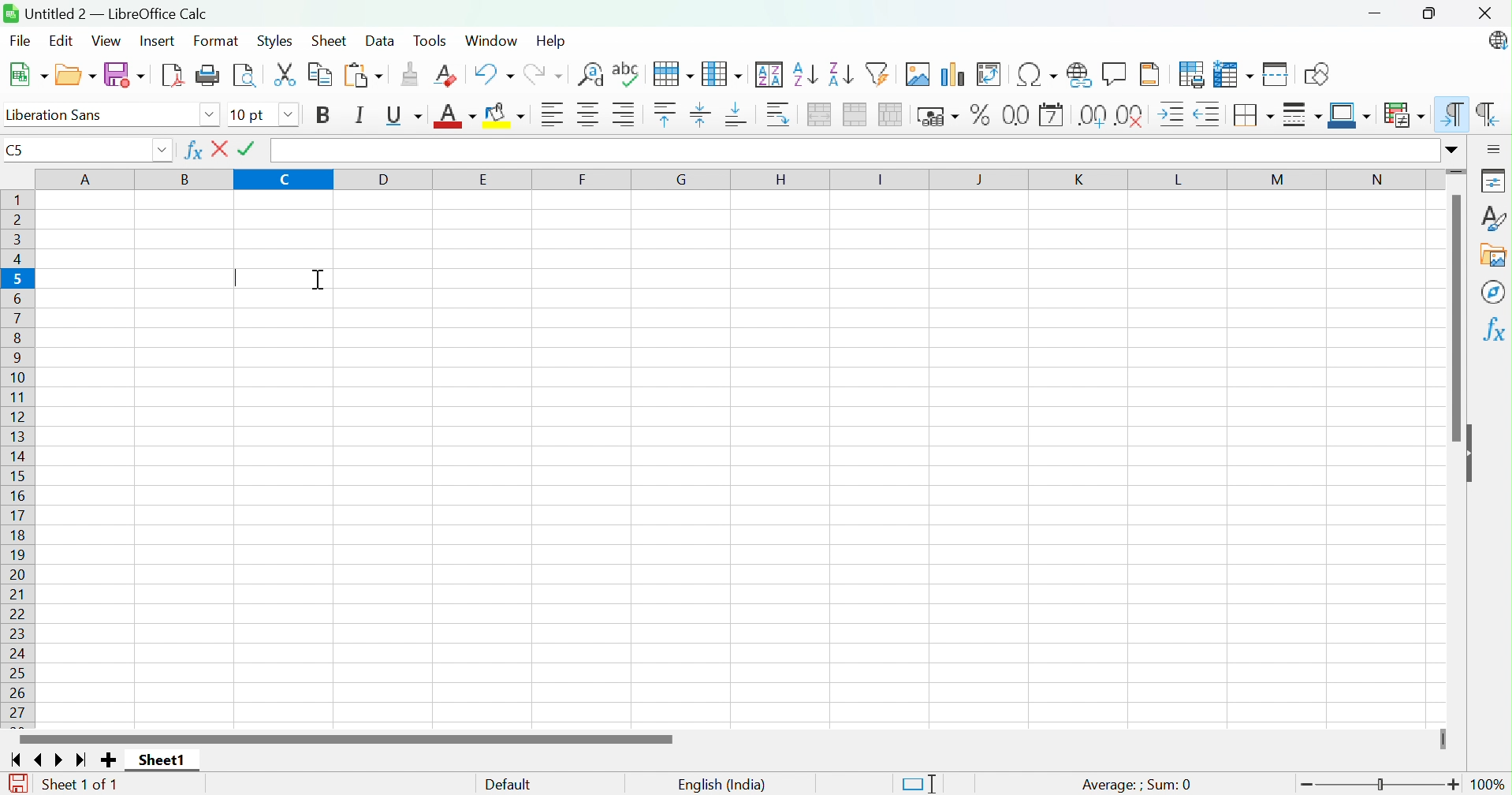  Describe the element at coordinates (1016, 114) in the screenshot. I see `Format as number` at that location.